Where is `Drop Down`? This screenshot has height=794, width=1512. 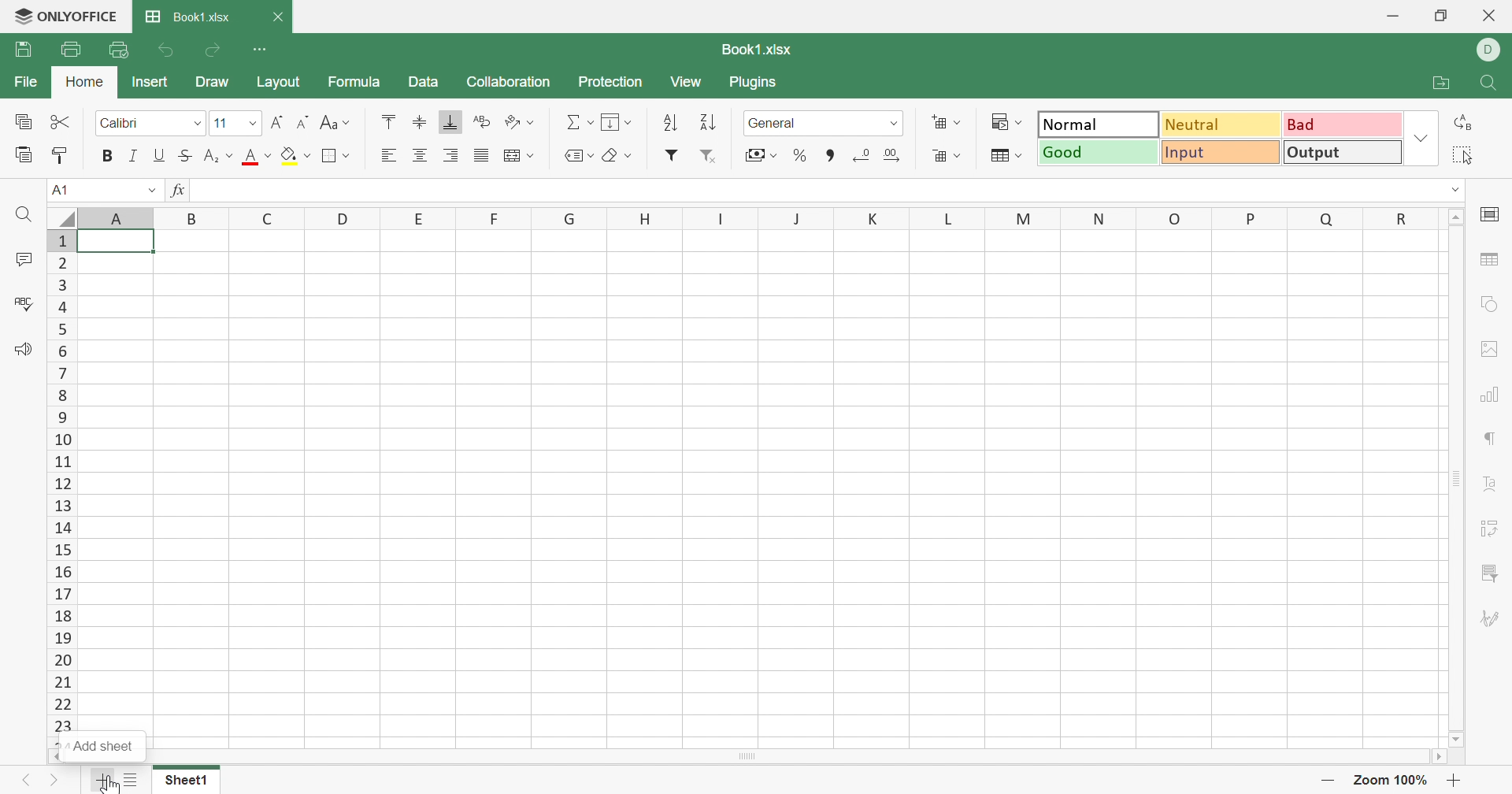
Drop Down is located at coordinates (1421, 138).